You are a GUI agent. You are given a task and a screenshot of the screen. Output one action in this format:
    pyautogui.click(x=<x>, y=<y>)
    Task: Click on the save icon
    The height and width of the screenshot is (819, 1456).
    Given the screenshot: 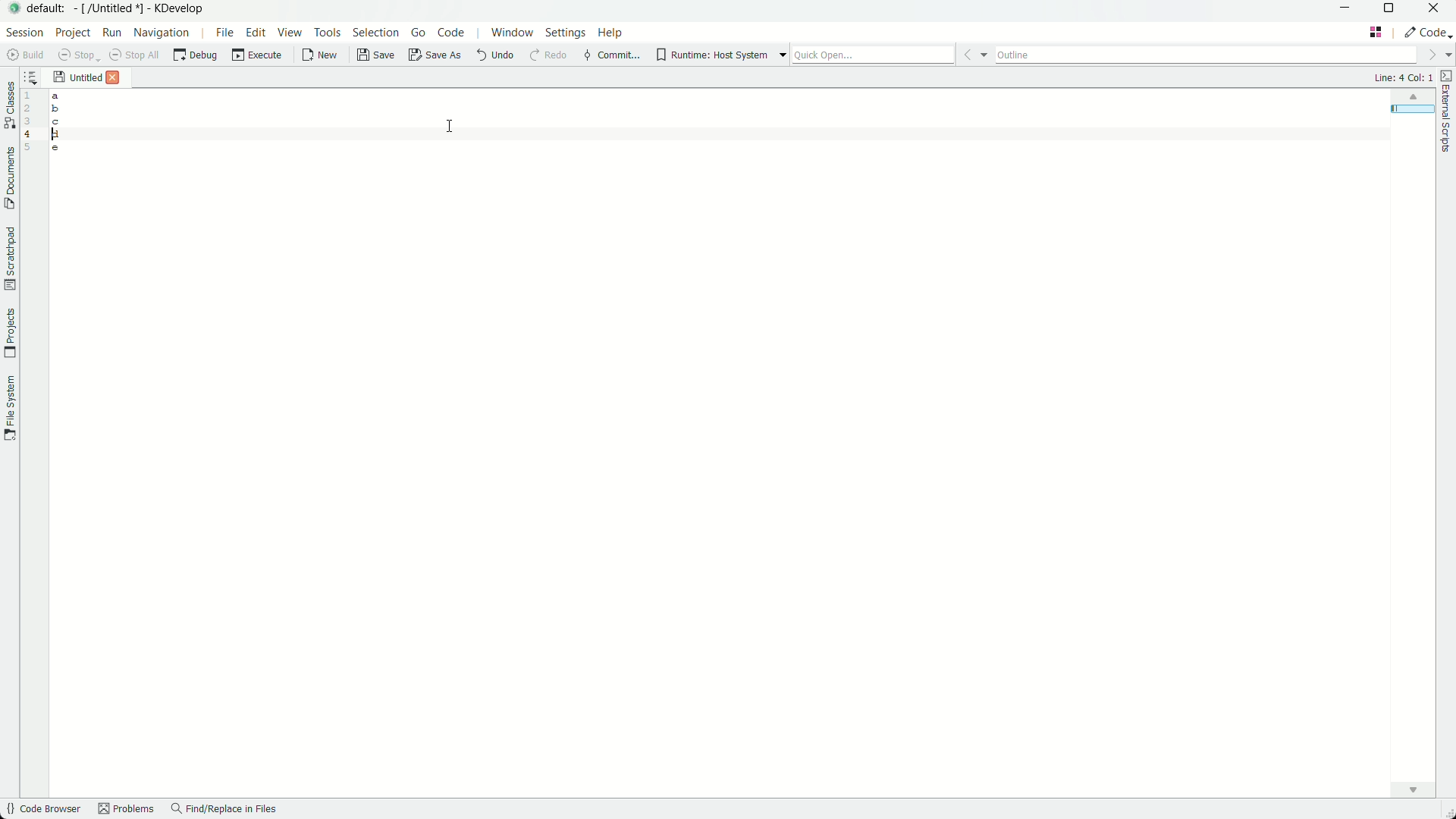 What is the action you would take?
    pyautogui.click(x=59, y=76)
    